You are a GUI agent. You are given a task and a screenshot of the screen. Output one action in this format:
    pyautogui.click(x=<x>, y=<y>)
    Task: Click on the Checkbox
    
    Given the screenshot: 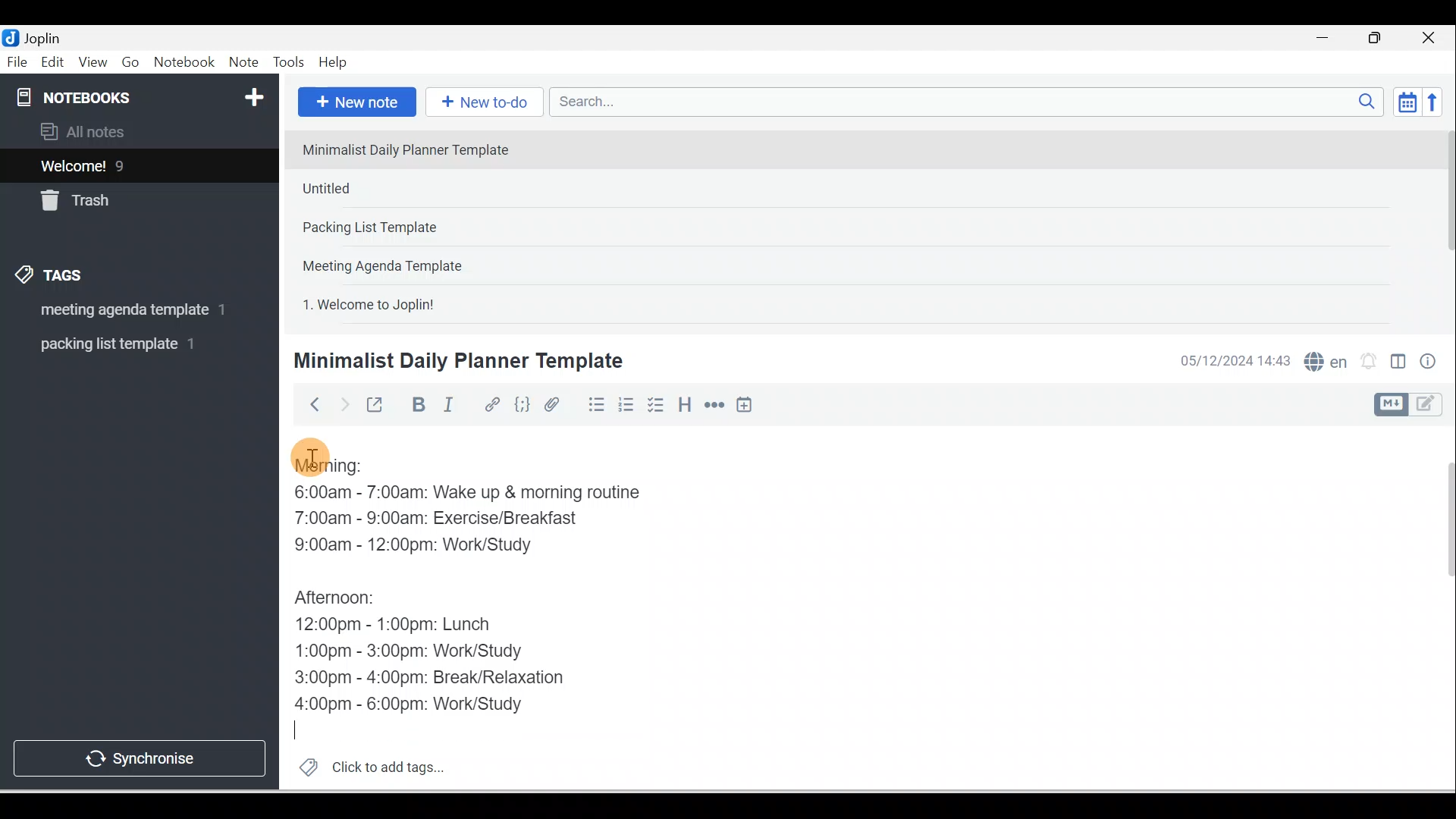 What is the action you would take?
    pyautogui.click(x=654, y=405)
    